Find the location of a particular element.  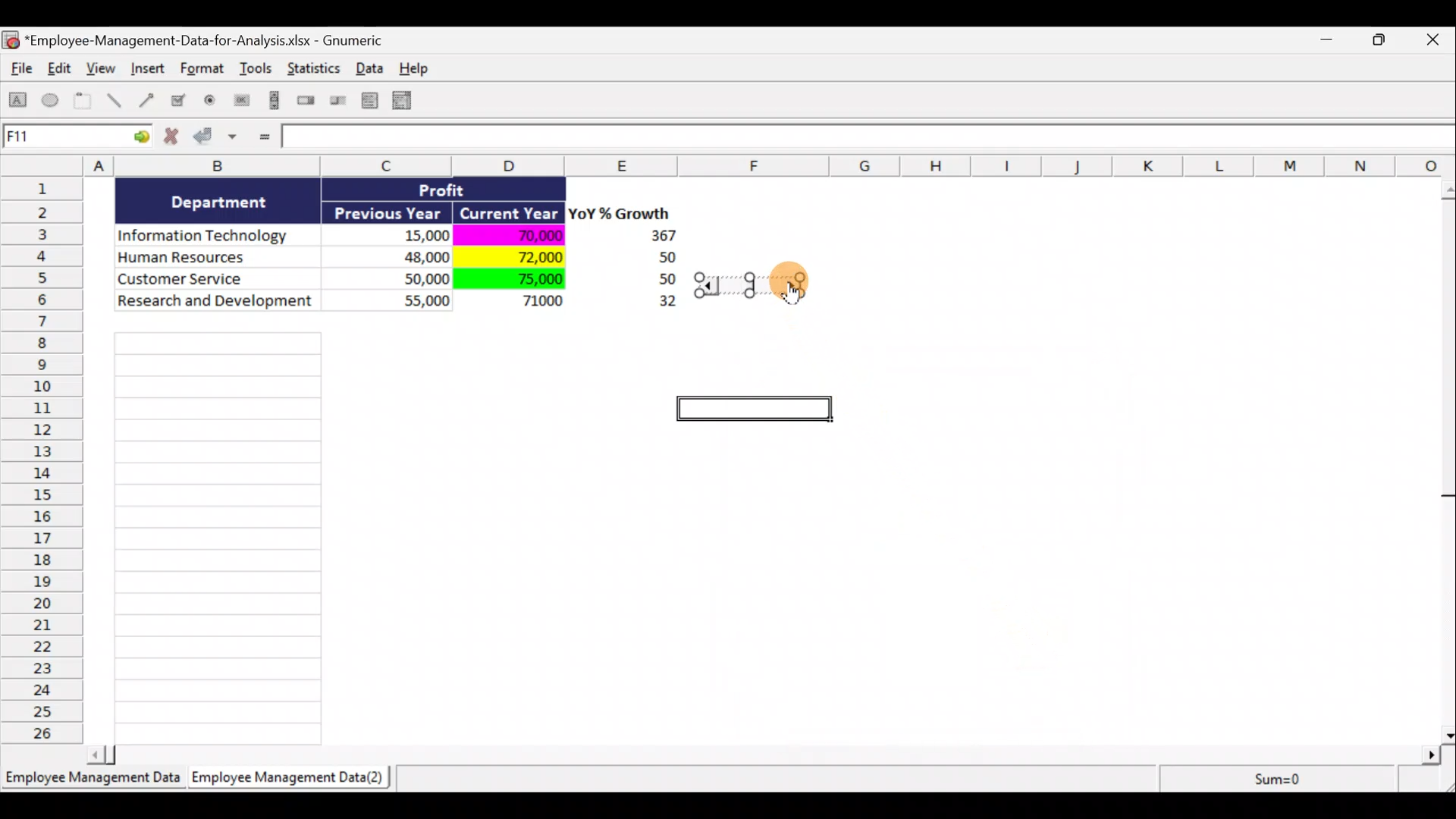

Create a scrollbar is located at coordinates (272, 103).